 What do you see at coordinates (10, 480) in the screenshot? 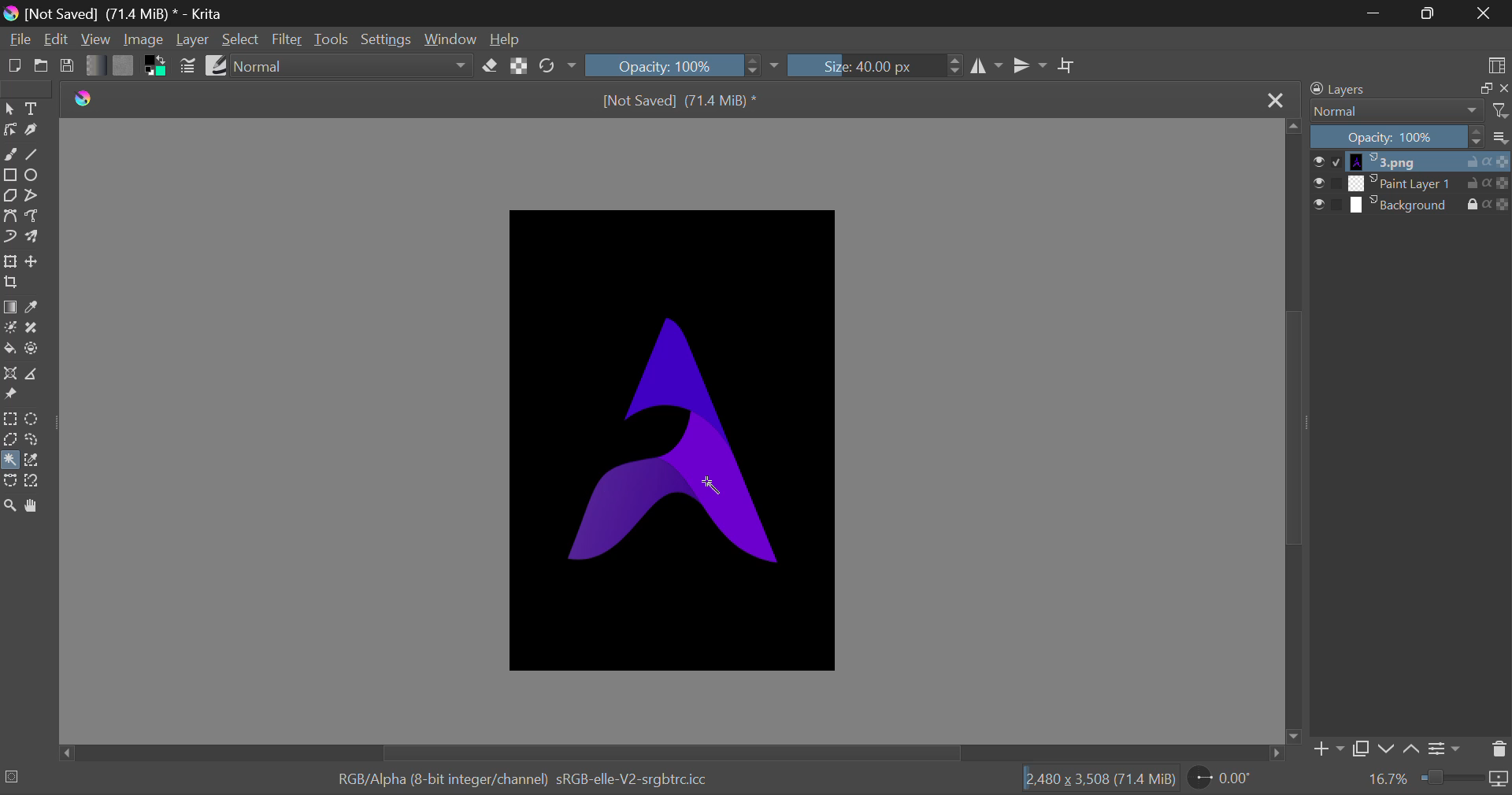
I see `Bezier Curve Selection` at bounding box center [10, 480].